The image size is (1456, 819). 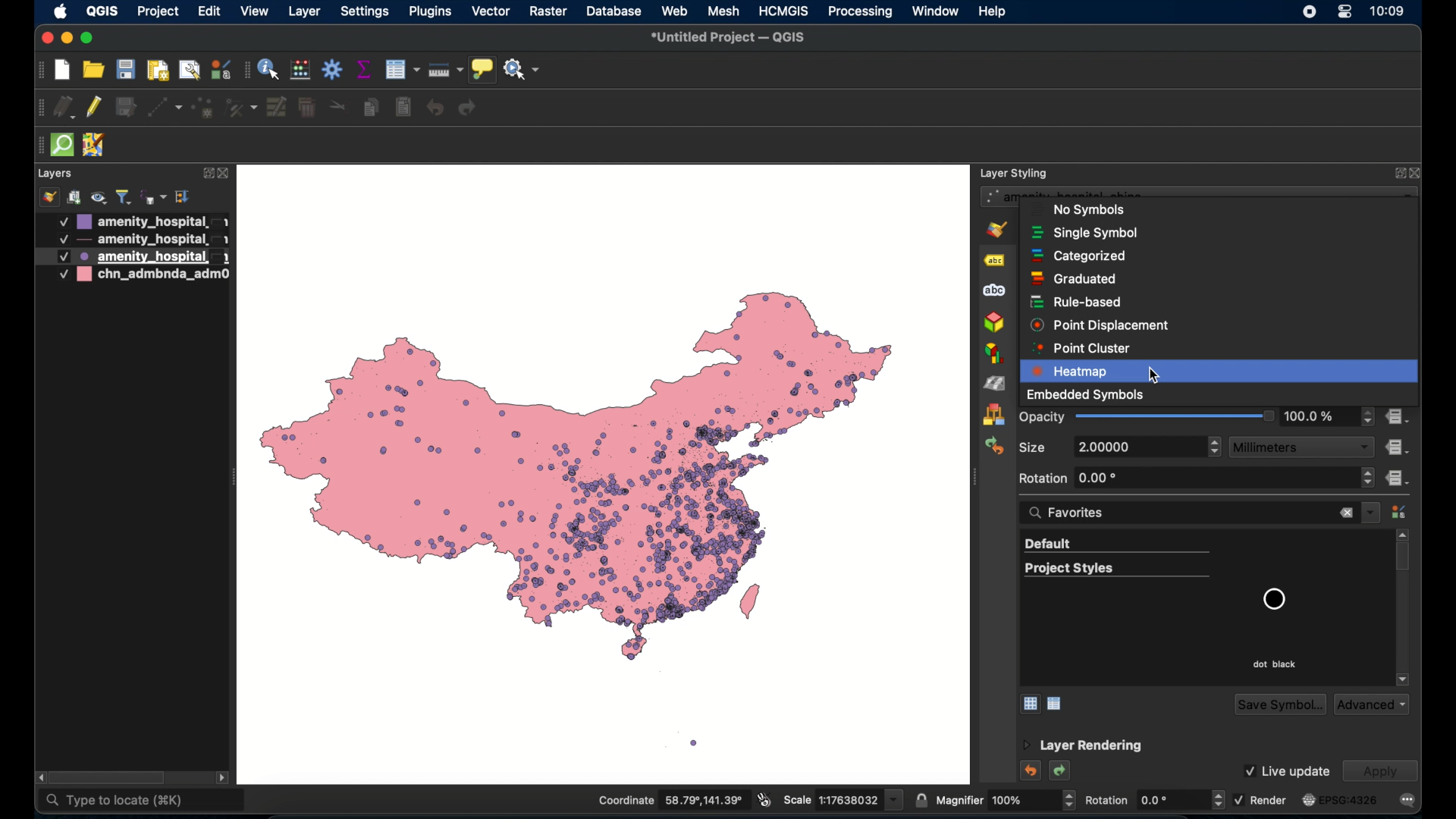 I want to click on current crs, so click(x=1338, y=800).